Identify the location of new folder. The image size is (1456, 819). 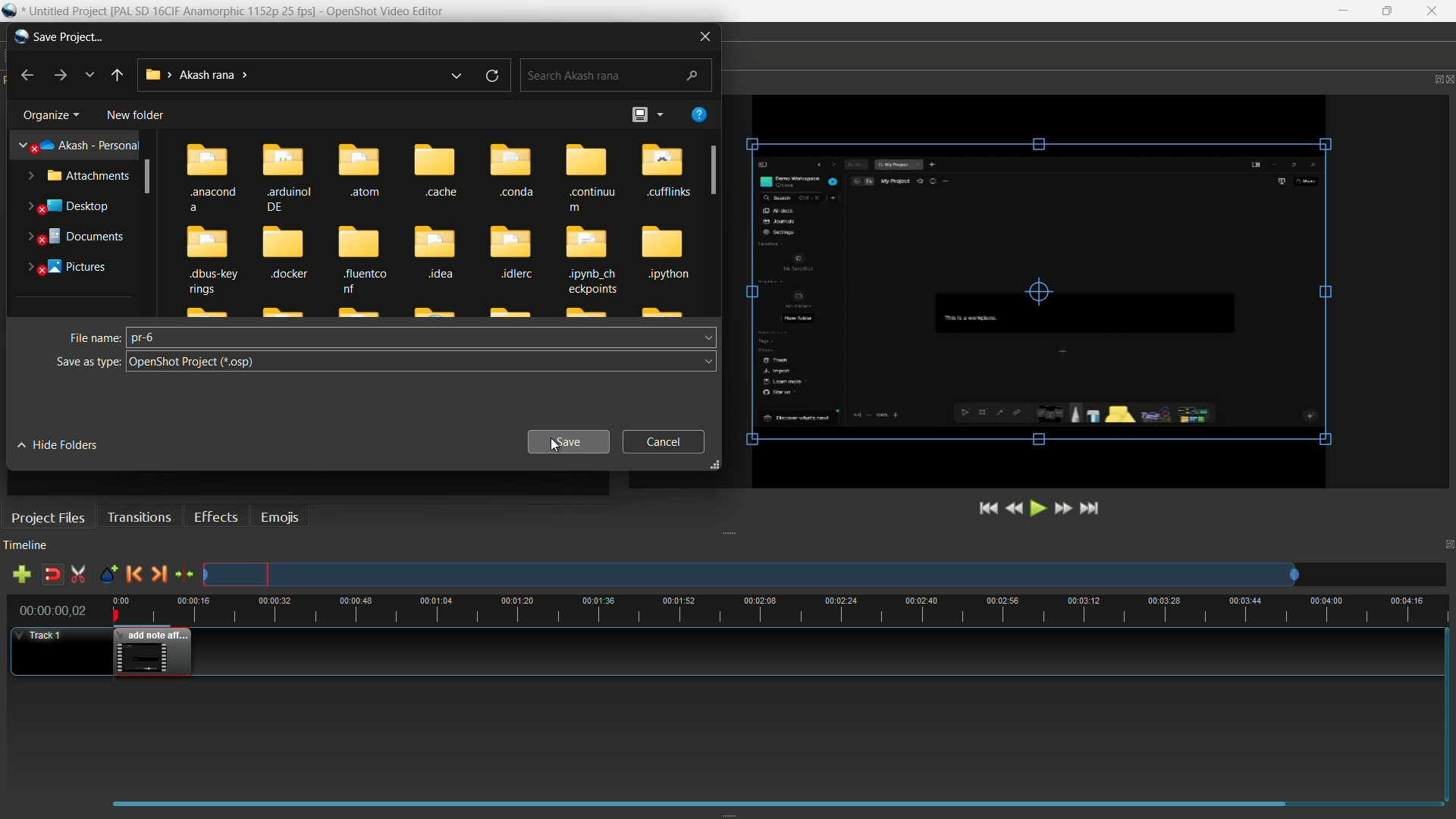
(134, 115).